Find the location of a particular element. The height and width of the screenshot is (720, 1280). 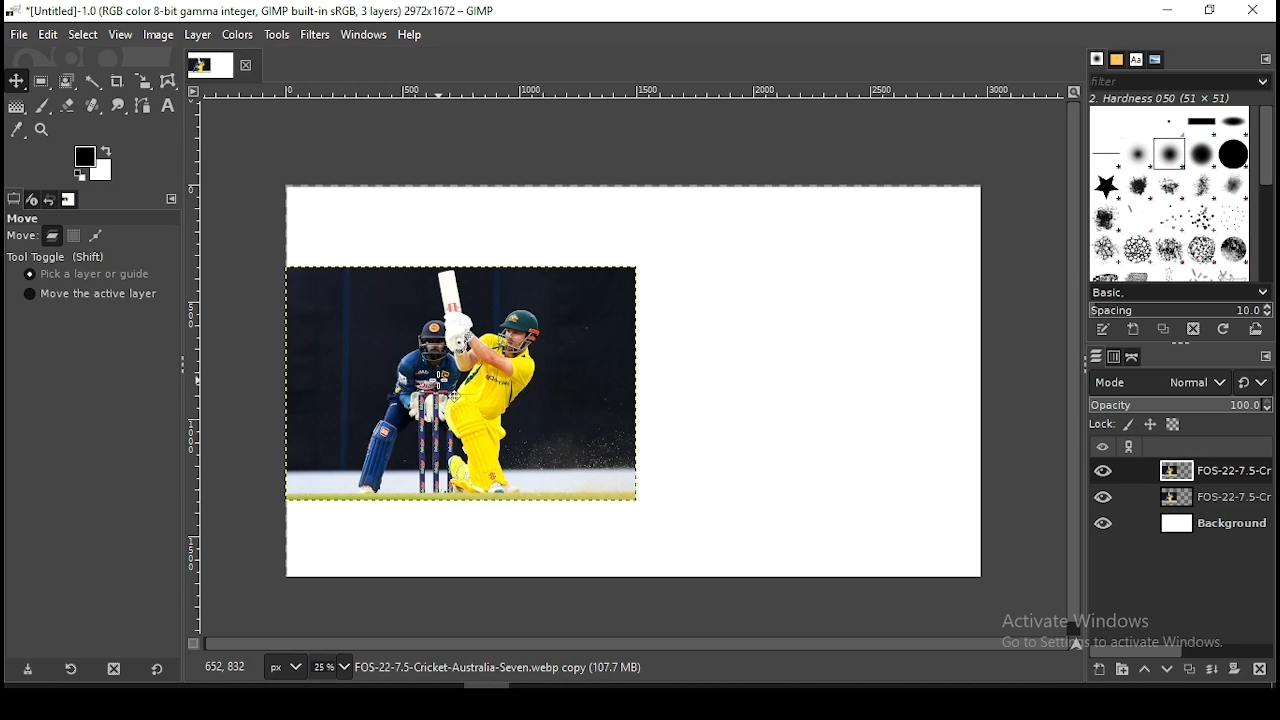

duplicate brush is located at coordinates (1164, 329).